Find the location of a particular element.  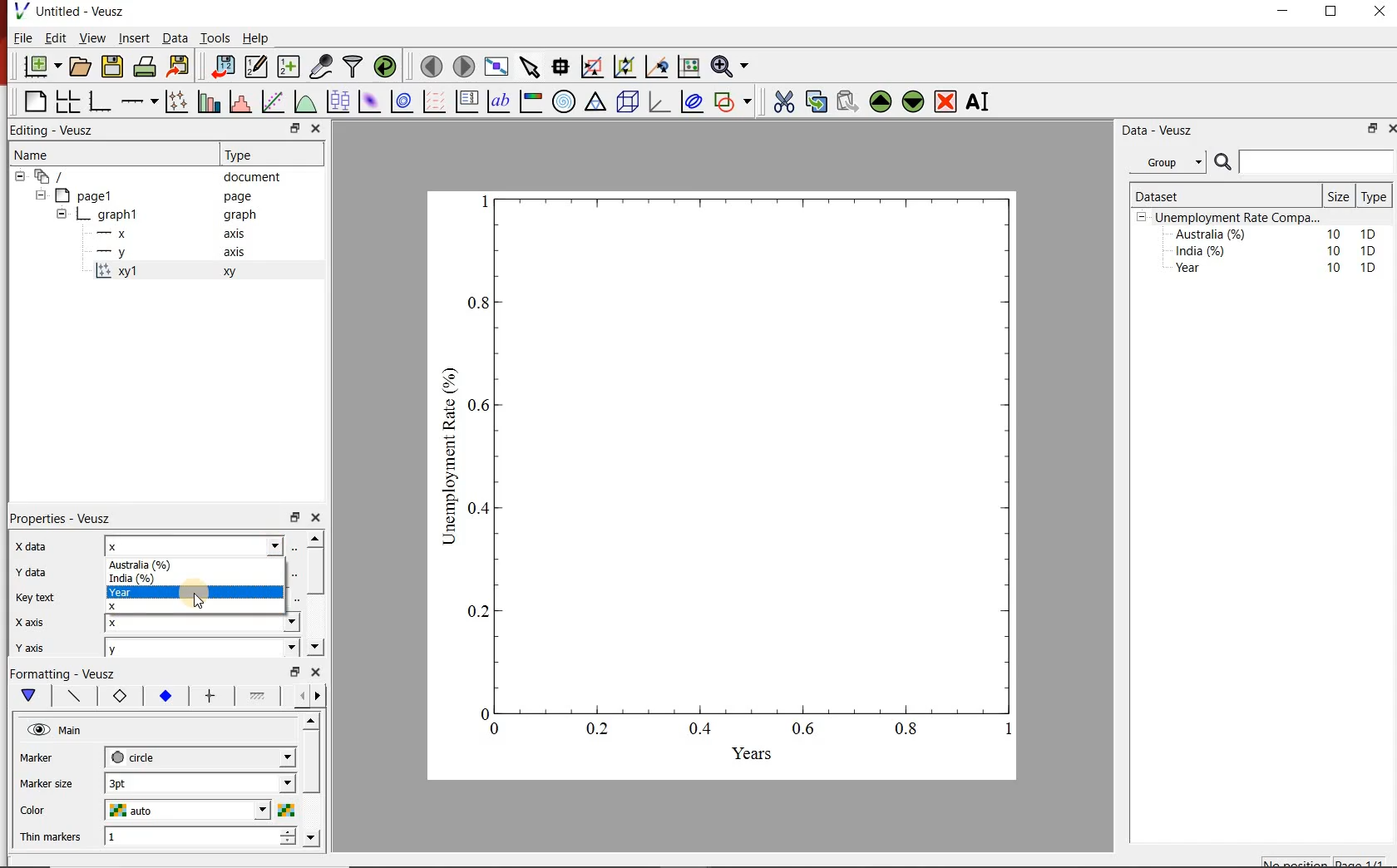

ternary graph is located at coordinates (595, 101).